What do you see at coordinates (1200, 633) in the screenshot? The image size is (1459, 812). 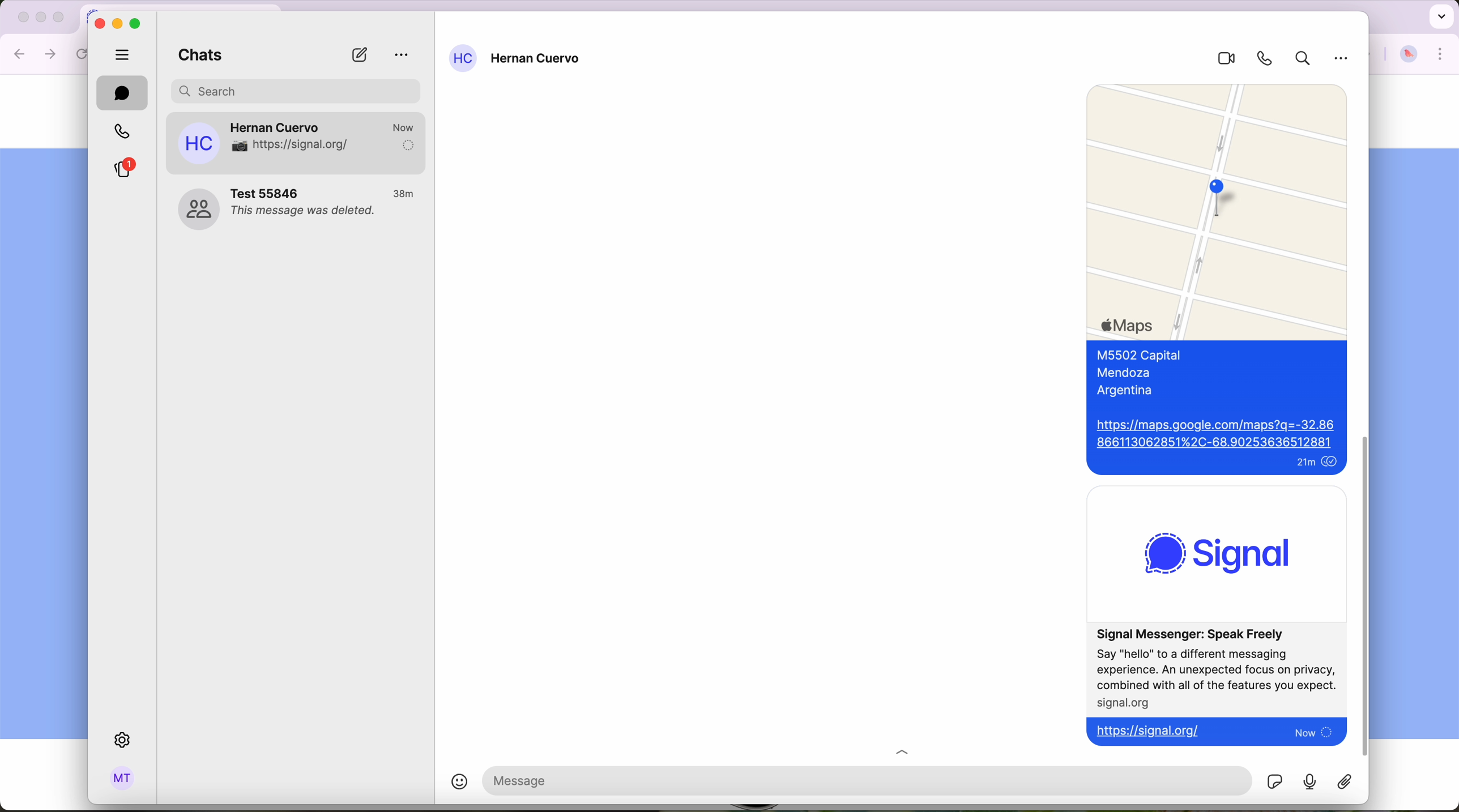 I see `Signal Messenger: Speak Freely` at bounding box center [1200, 633].